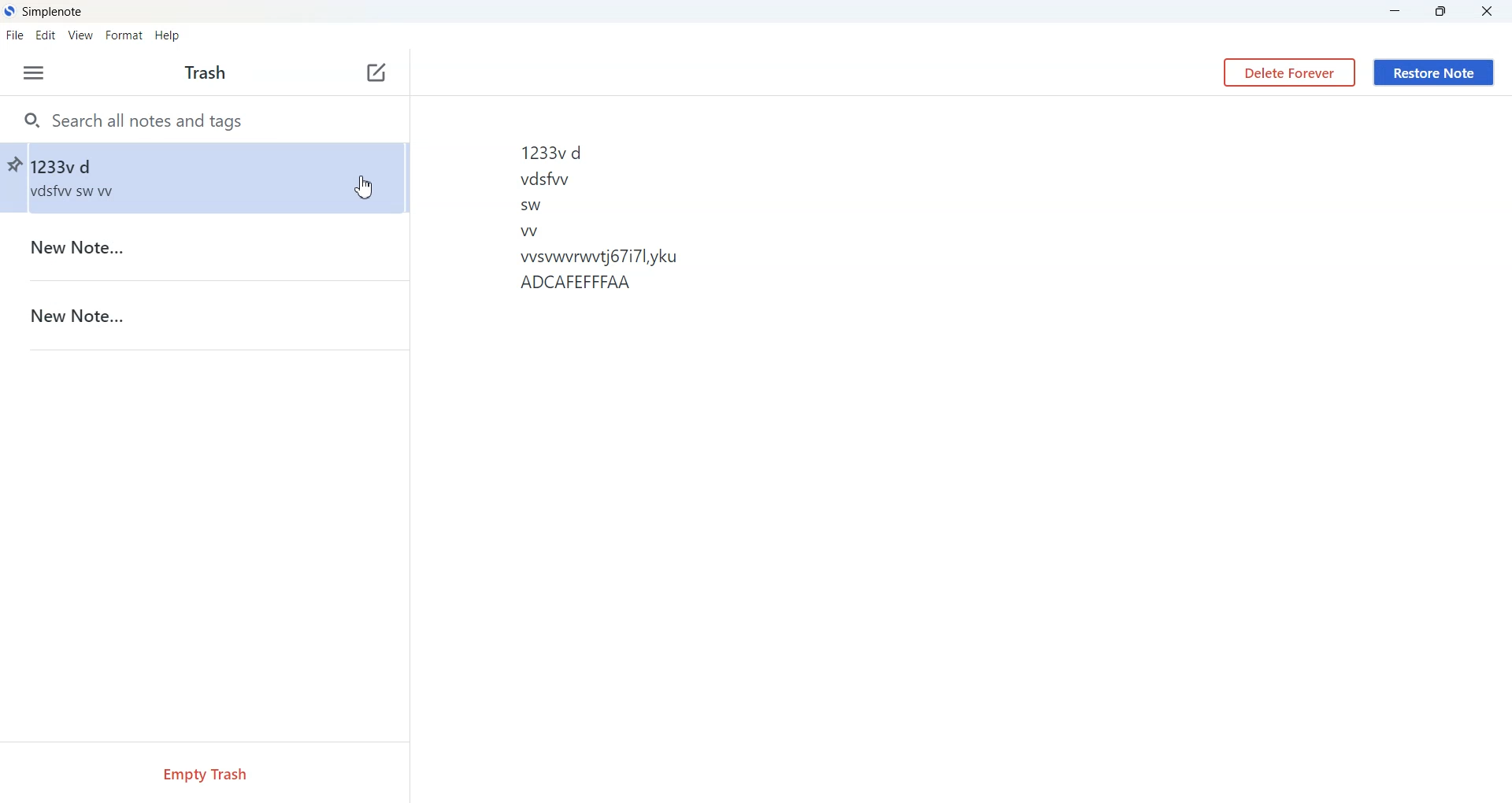 This screenshot has height=803, width=1512. Describe the element at coordinates (528, 232) in the screenshot. I see `w` at that location.